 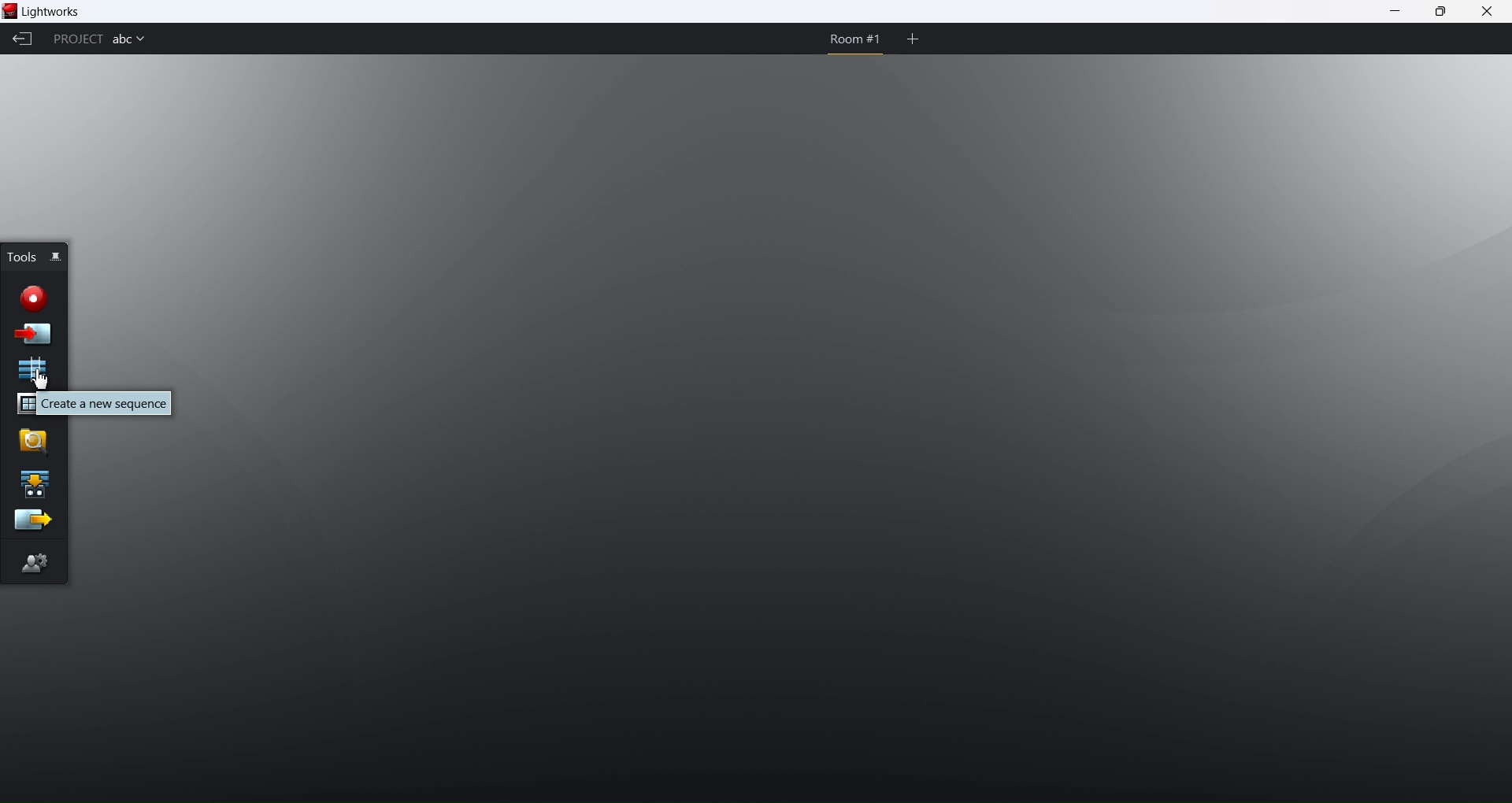 What do you see at coordinates (1484, 13) in the screenshot?
I see `close` at bounding box center [1484, 13].